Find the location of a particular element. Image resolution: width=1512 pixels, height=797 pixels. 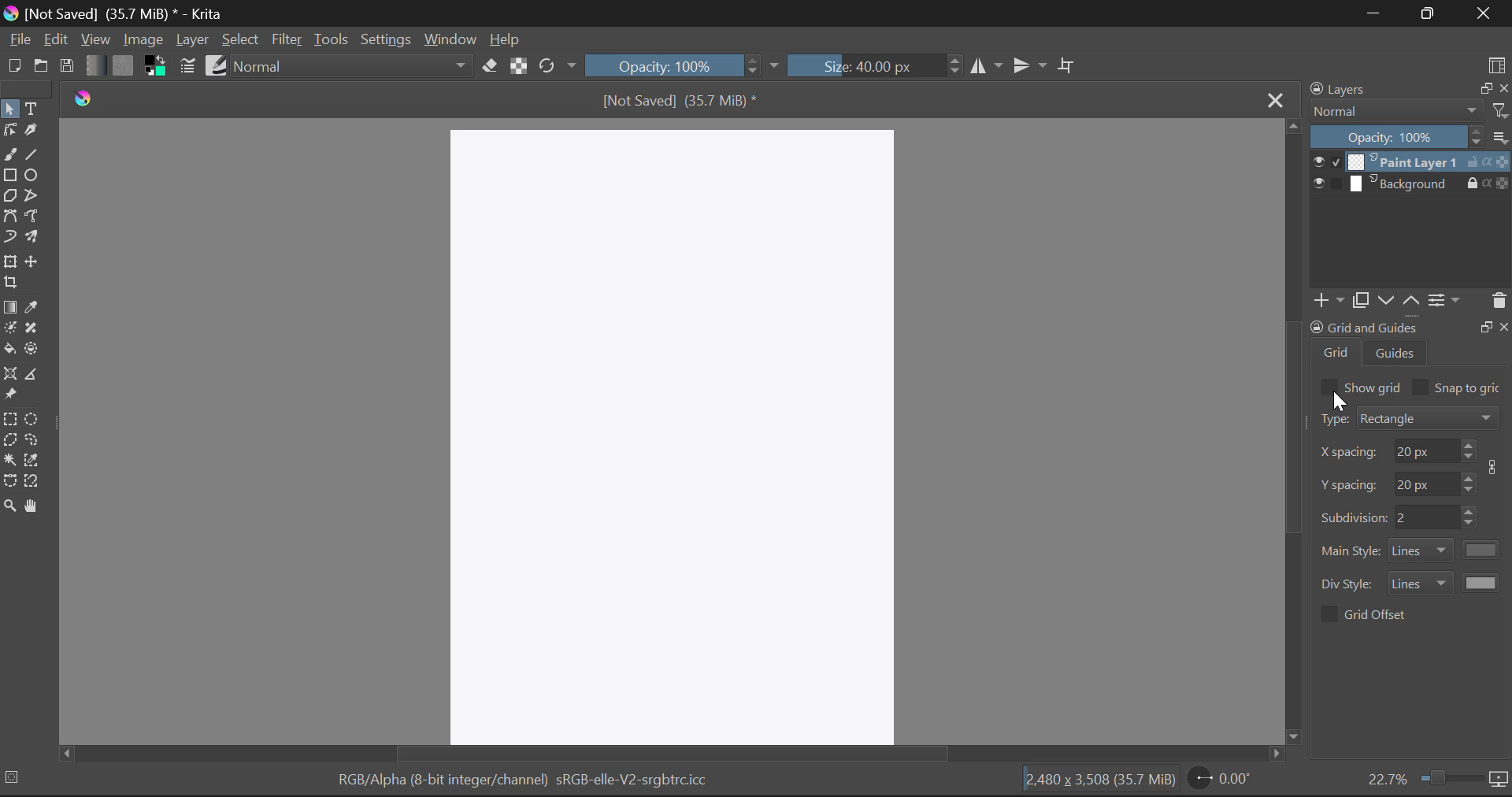

spacing x is located at coordinates (1424, 450).